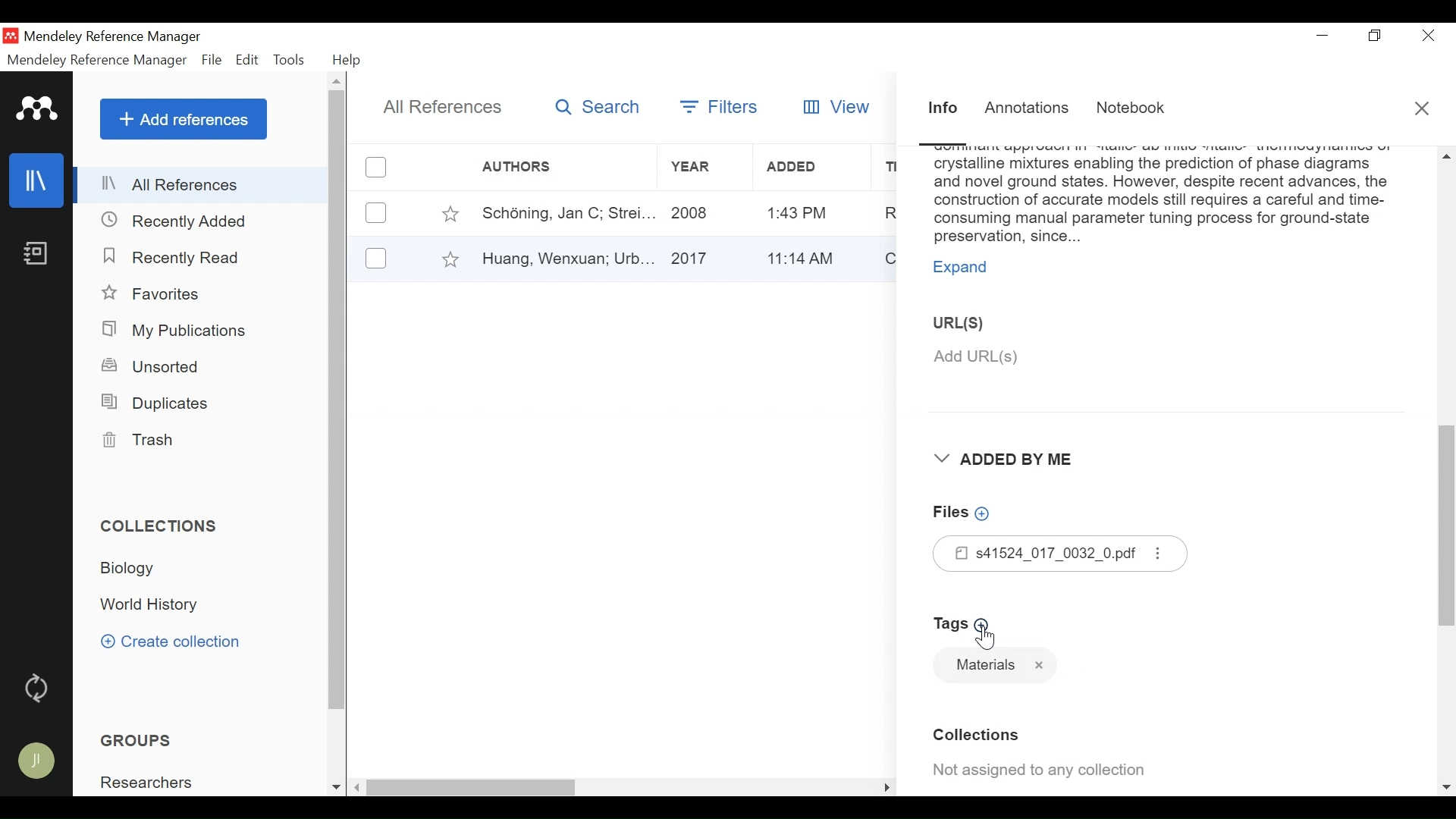 Image resolution: width=1456 pixels, height=819 pixels. I want to click on Groups, so click(140, 741).